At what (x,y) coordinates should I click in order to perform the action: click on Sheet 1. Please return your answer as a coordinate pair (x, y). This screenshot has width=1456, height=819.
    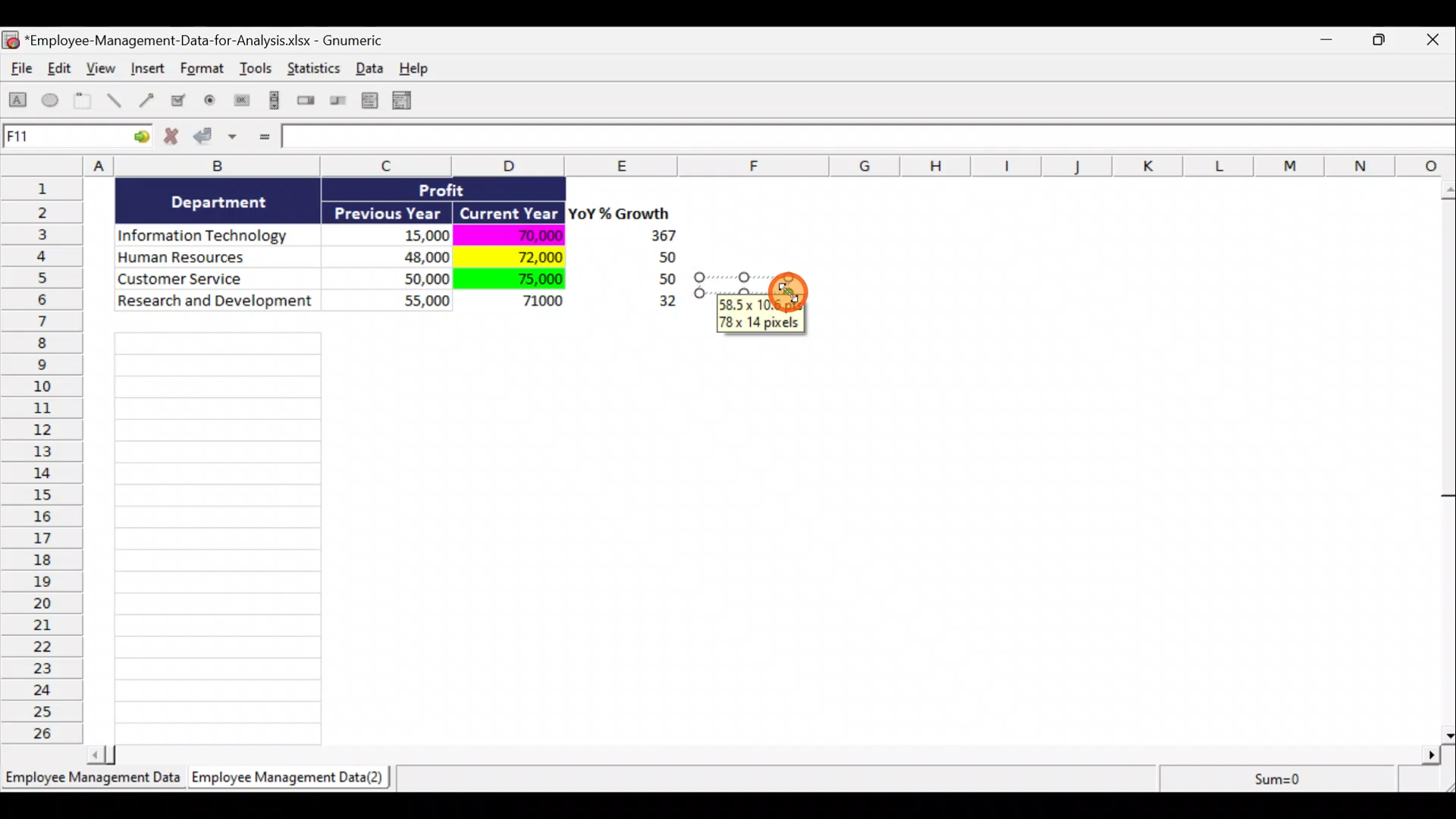
    Looking at the image, I should click on (95, 783).